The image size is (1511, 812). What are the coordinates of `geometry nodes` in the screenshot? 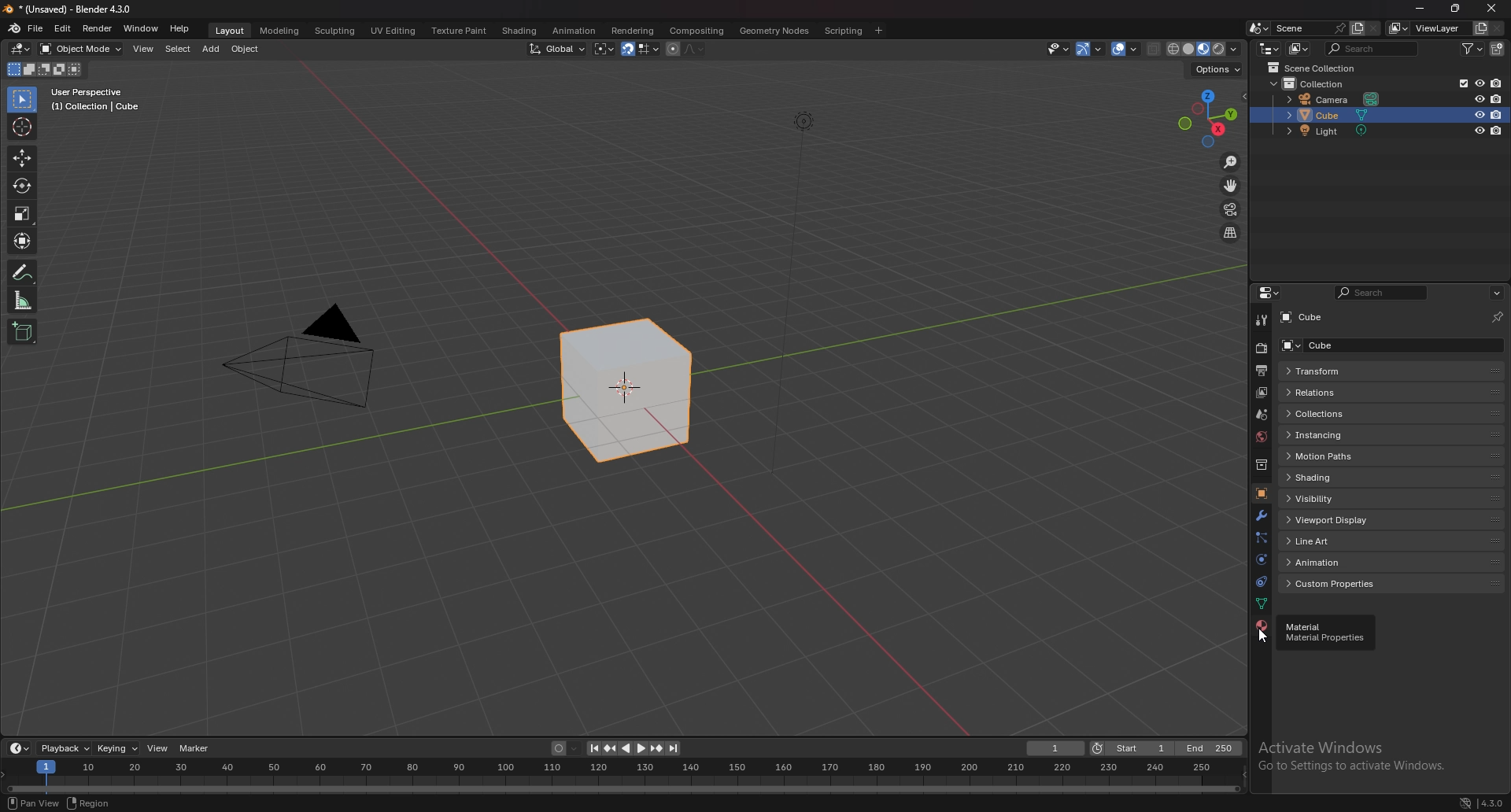 It's located at (774, 30).